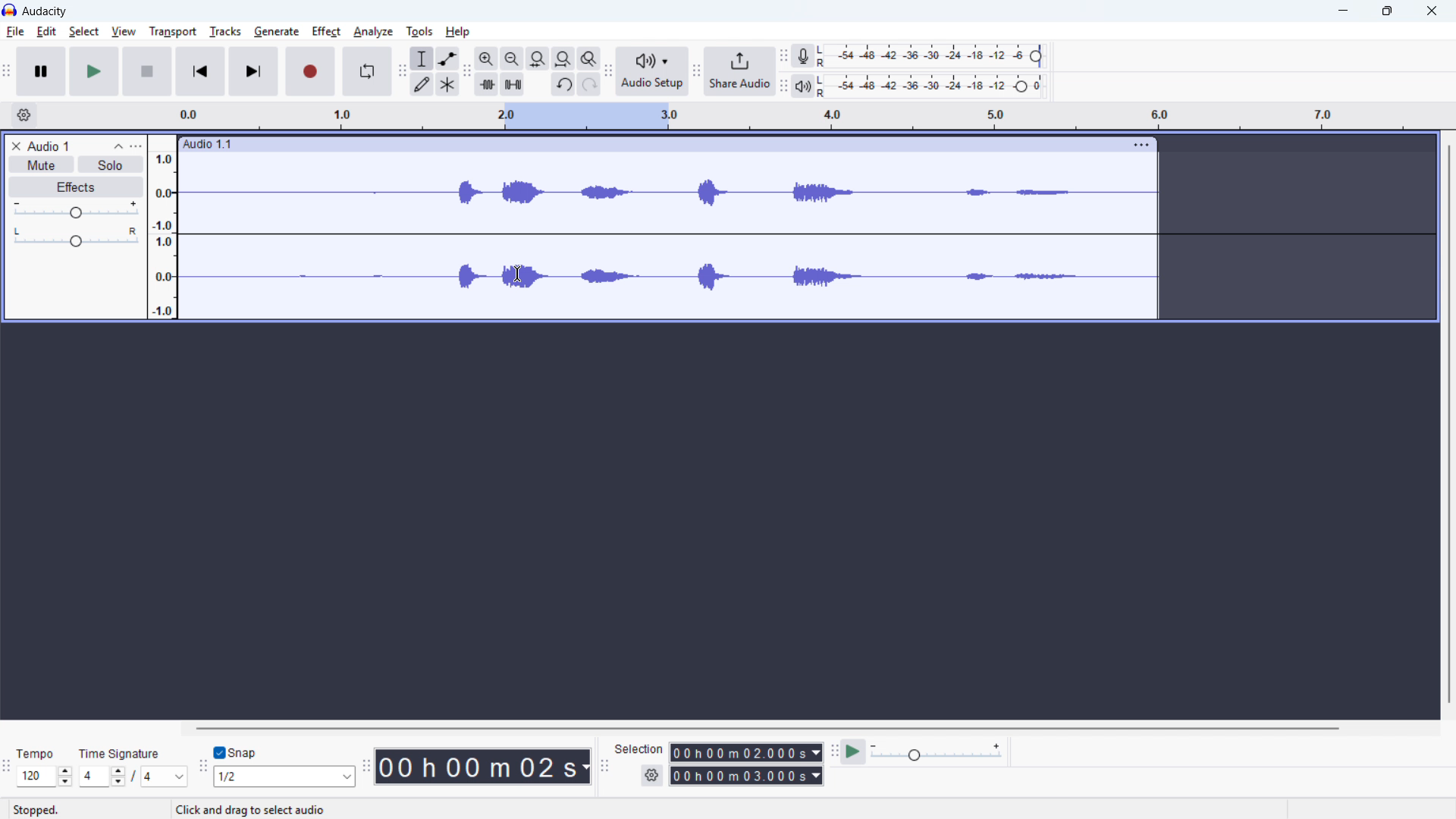 The width and height of the screenshot is (1456, 819). What do you see at coordinates (763, 728) in the screenshot?
I see `Horizontal scroll bar` at bounding box center [763, 728].